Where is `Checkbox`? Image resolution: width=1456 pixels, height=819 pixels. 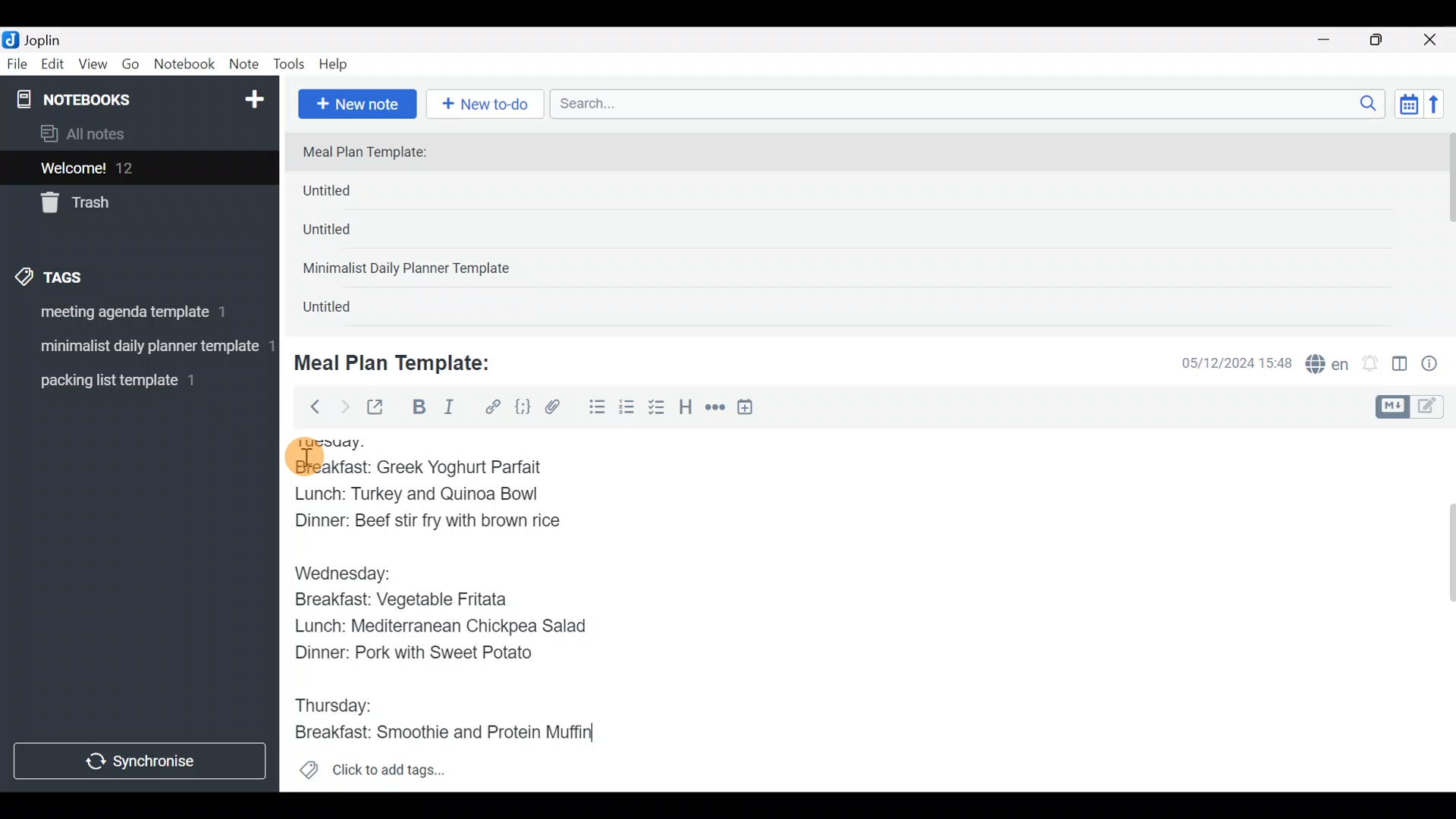
Checkbox is located at coordinates (658, 409).